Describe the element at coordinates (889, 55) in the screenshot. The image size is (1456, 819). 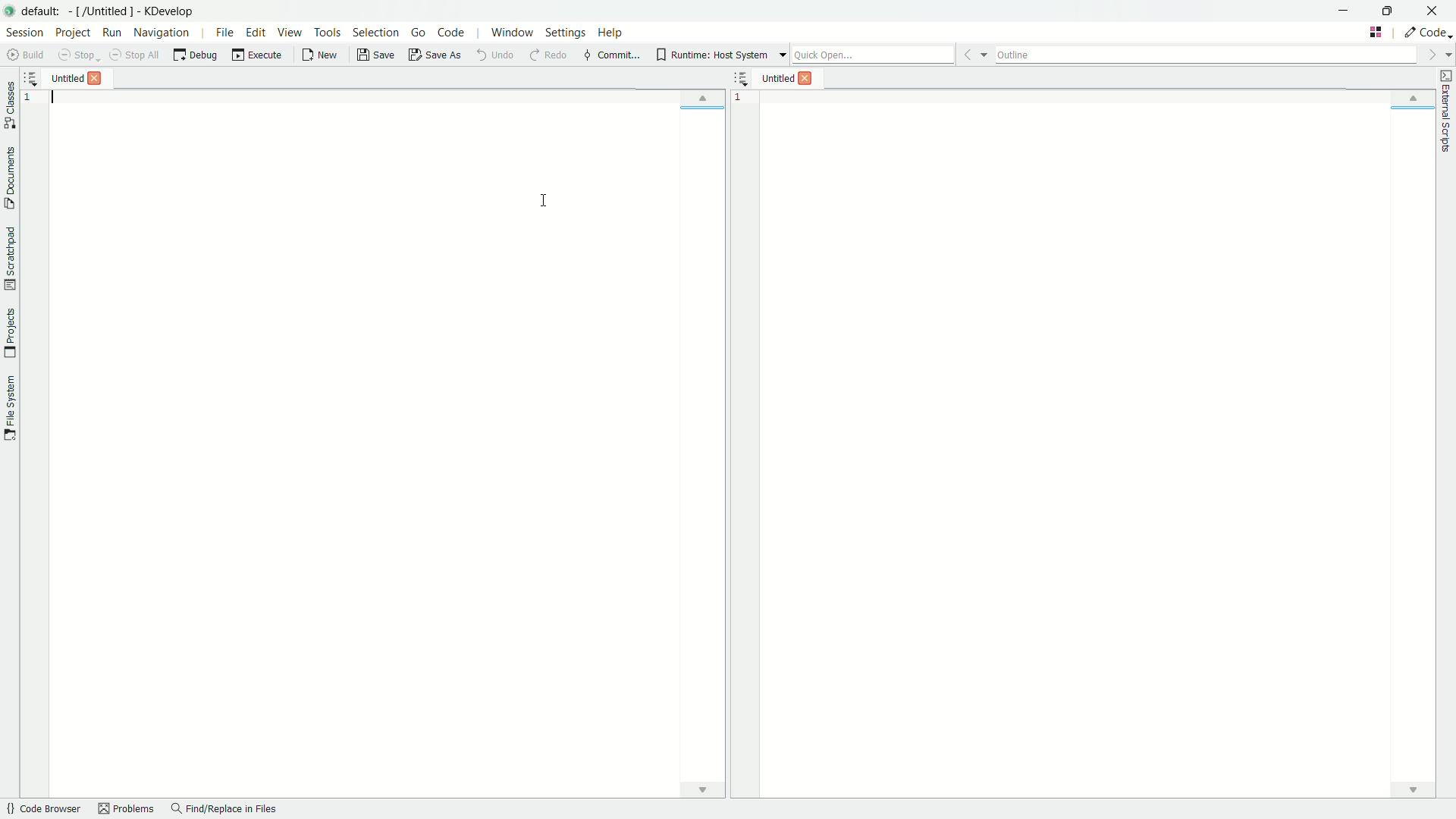
I see `quick open` at that location.